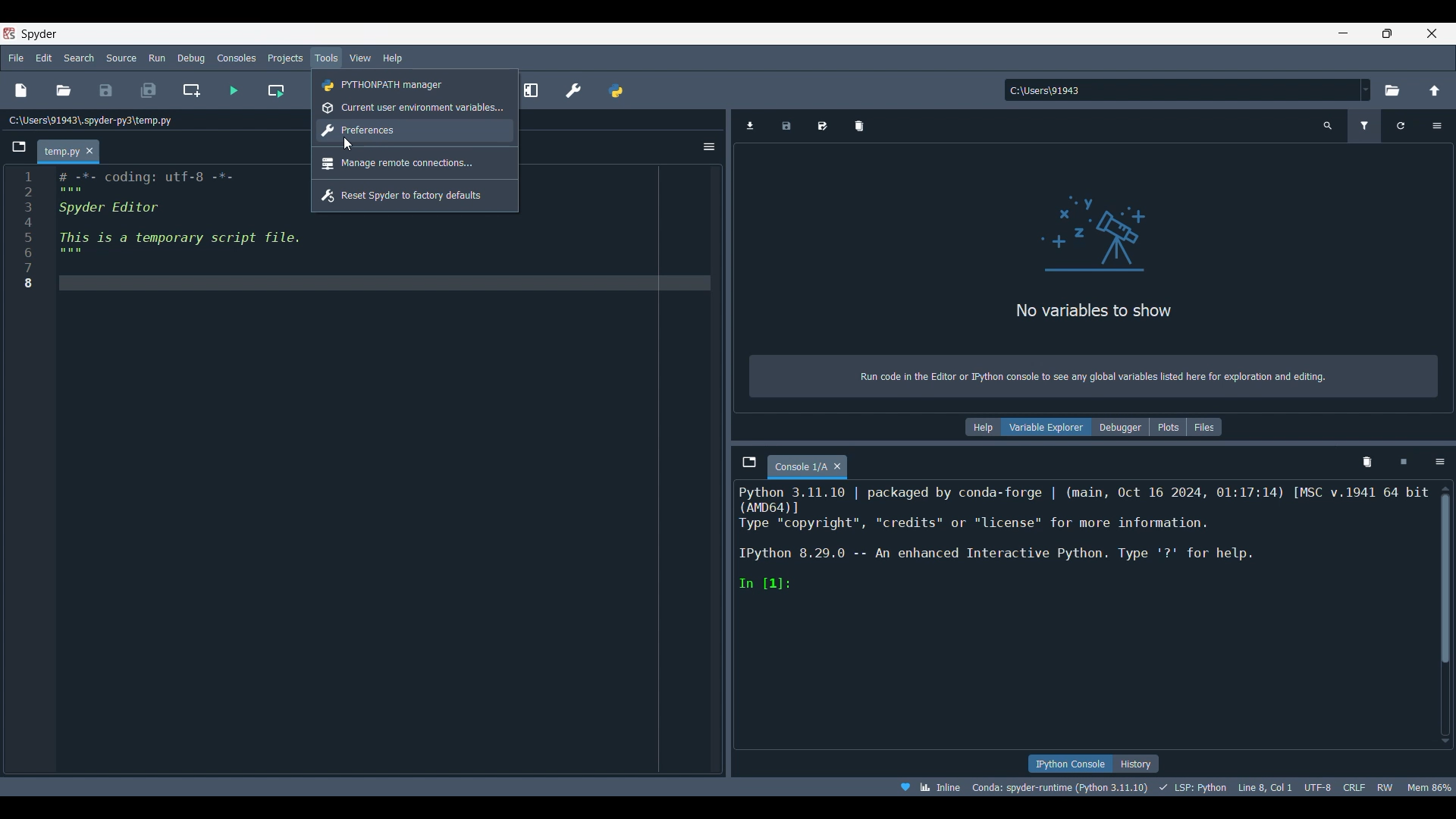 This screenshot has width=1456, height=819. I want to click on Options, so click(1436, 126).